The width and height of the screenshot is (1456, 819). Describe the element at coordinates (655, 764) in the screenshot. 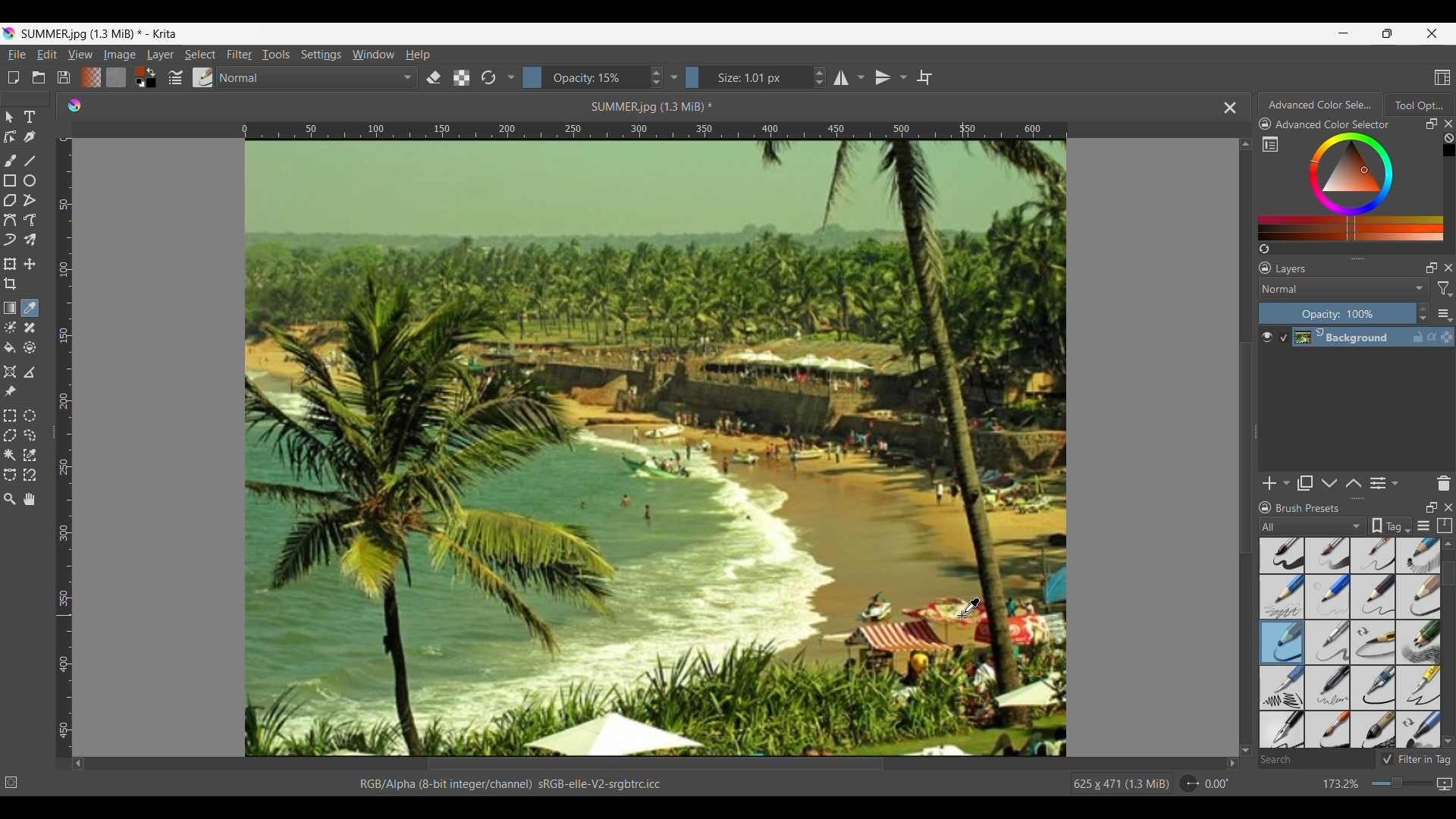

I see `Horizontal slide bar` at that location.